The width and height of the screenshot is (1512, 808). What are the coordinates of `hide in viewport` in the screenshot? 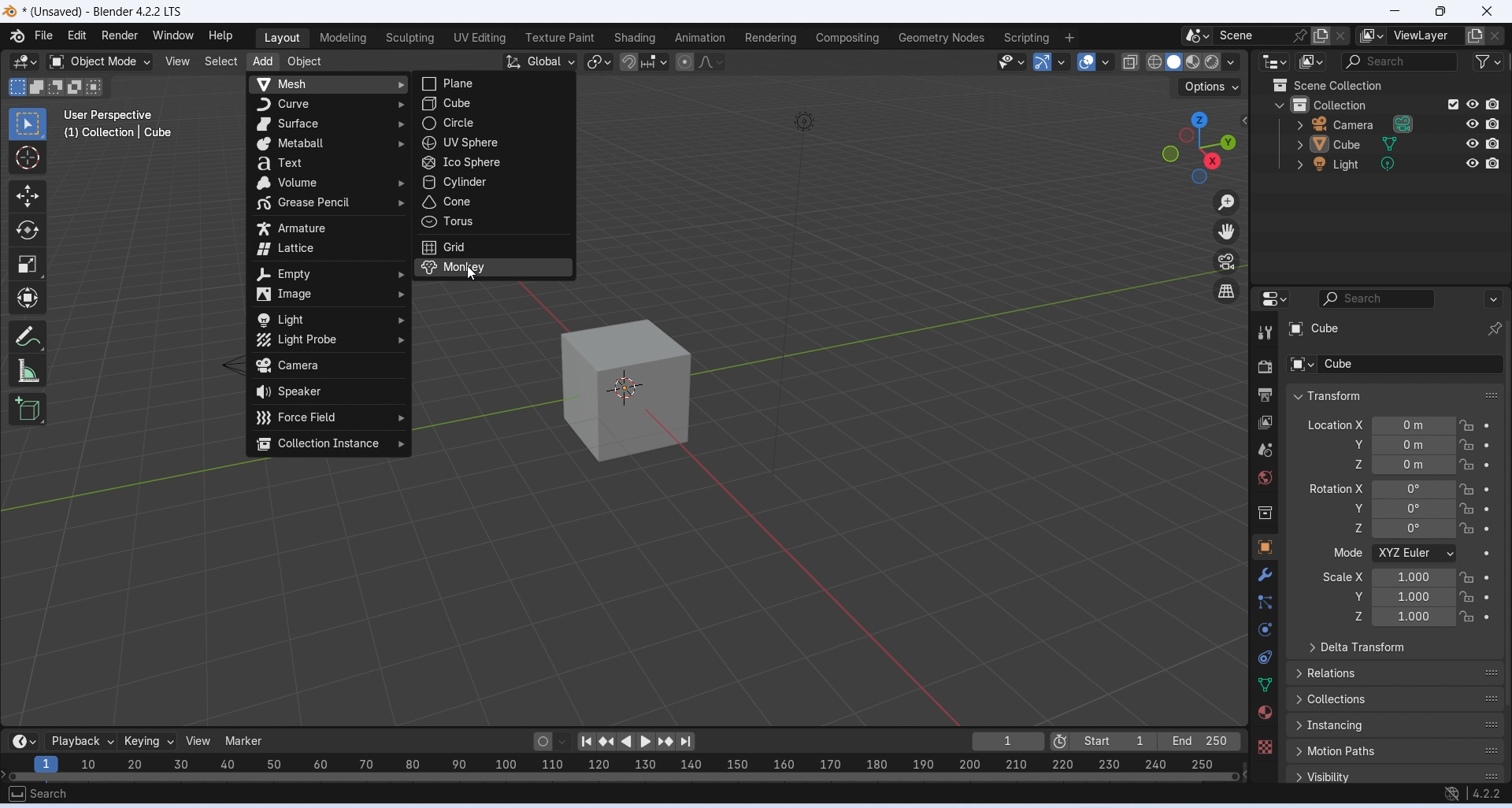 It's located at (1473, 104).